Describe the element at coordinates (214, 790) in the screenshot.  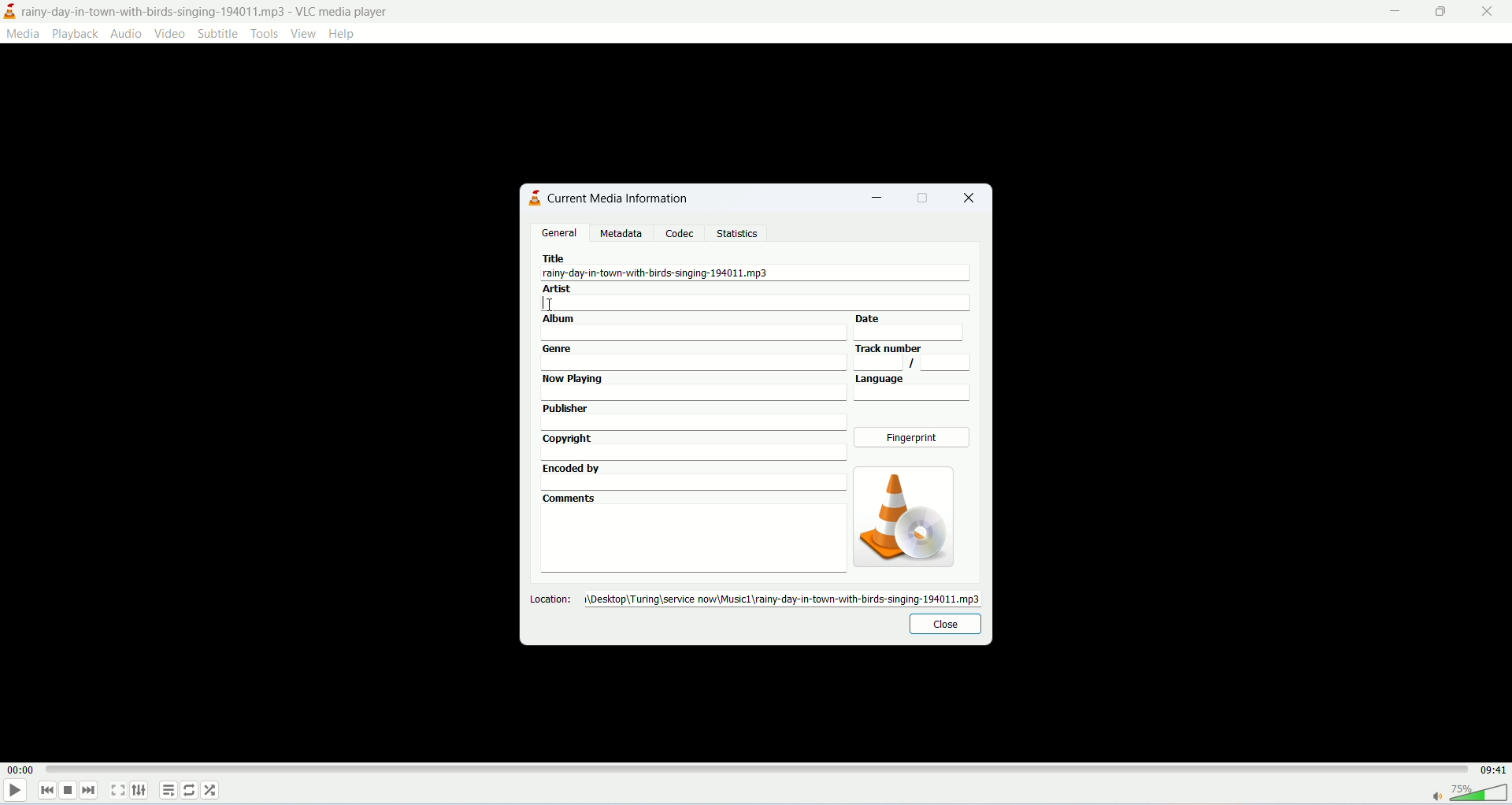
I see `shuffle` at that location.